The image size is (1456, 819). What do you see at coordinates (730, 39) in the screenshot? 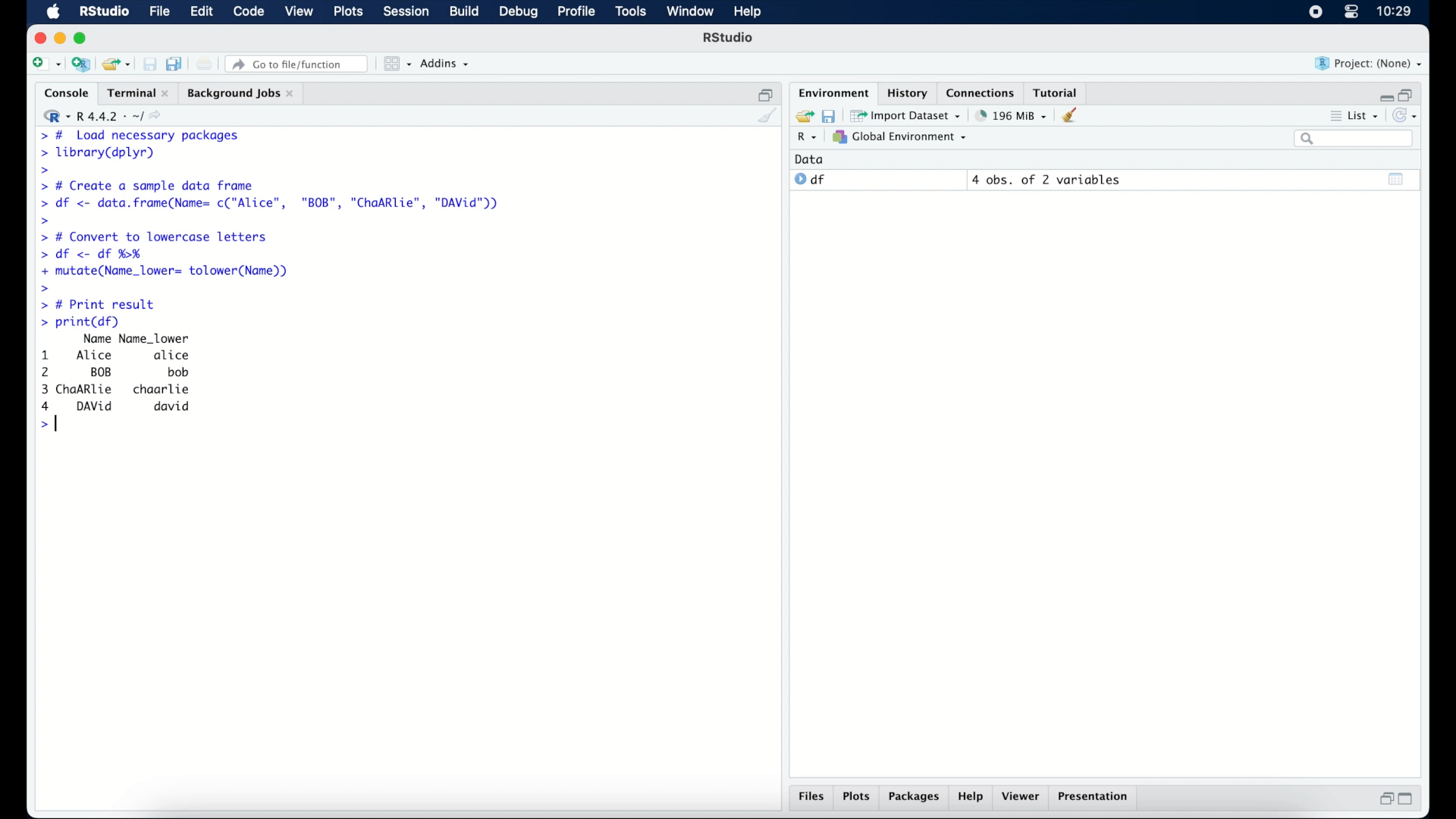
I see `R Studio` at bounding box center [730, 39].